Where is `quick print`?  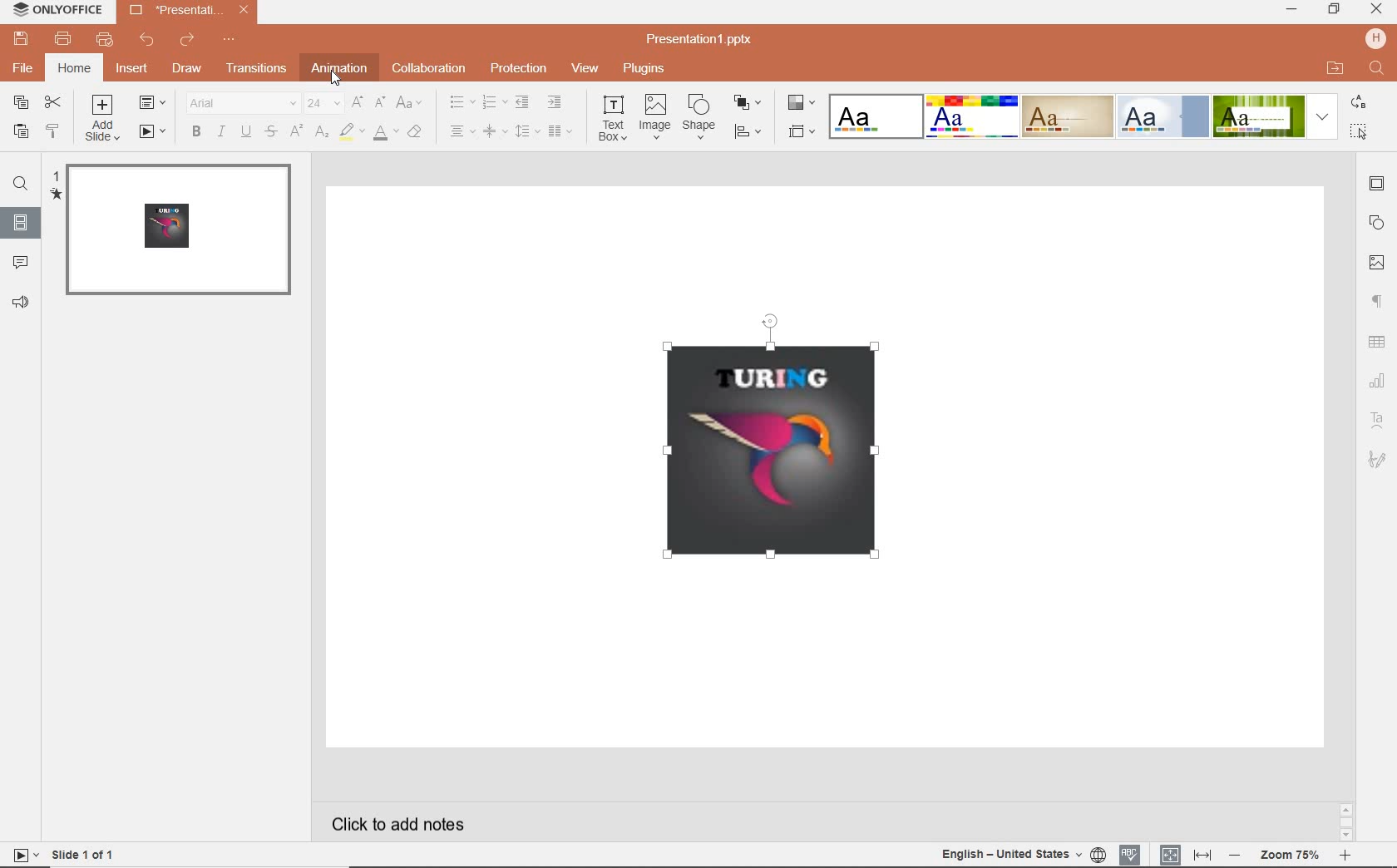 quick print is located at coordinates (104, 40).